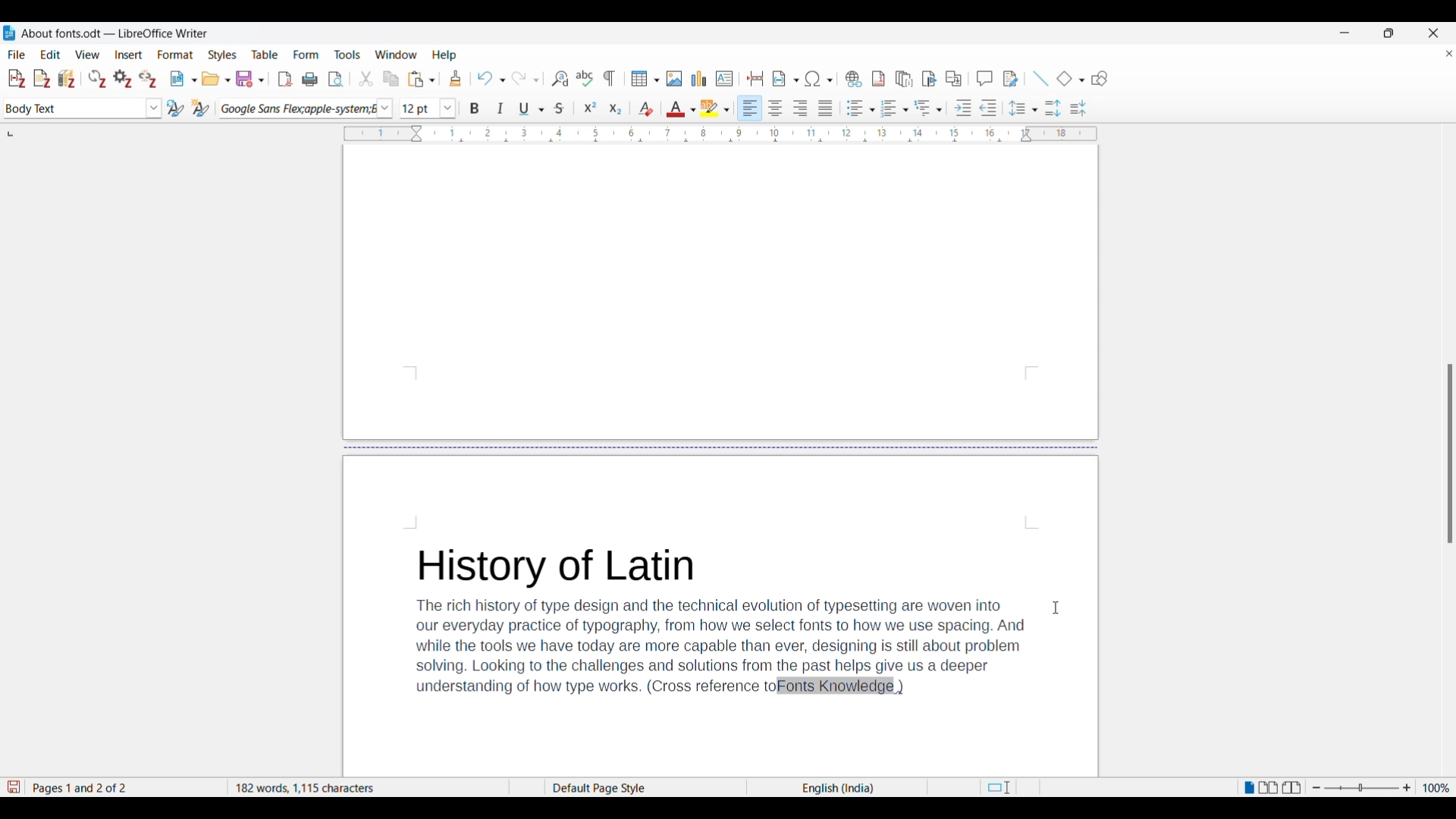 This screenshot has height=819, width=1456. Describe the element at coordinates (1070, 78) in the screenshot. I see `Current basic shape and other basic shape options` at that location.